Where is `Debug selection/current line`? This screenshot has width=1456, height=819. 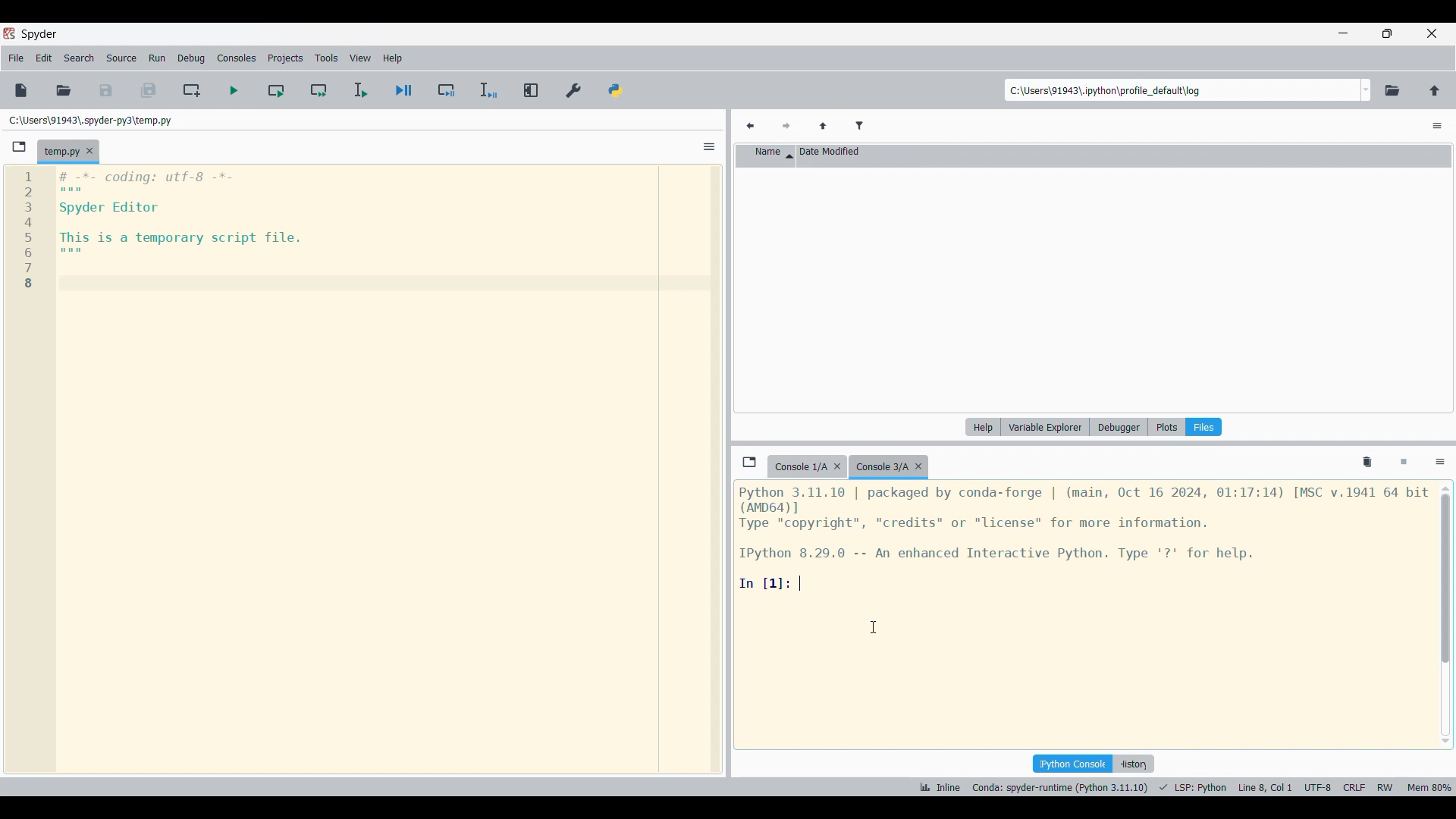
Debug selection/current line is located at coordinates (488, 90).